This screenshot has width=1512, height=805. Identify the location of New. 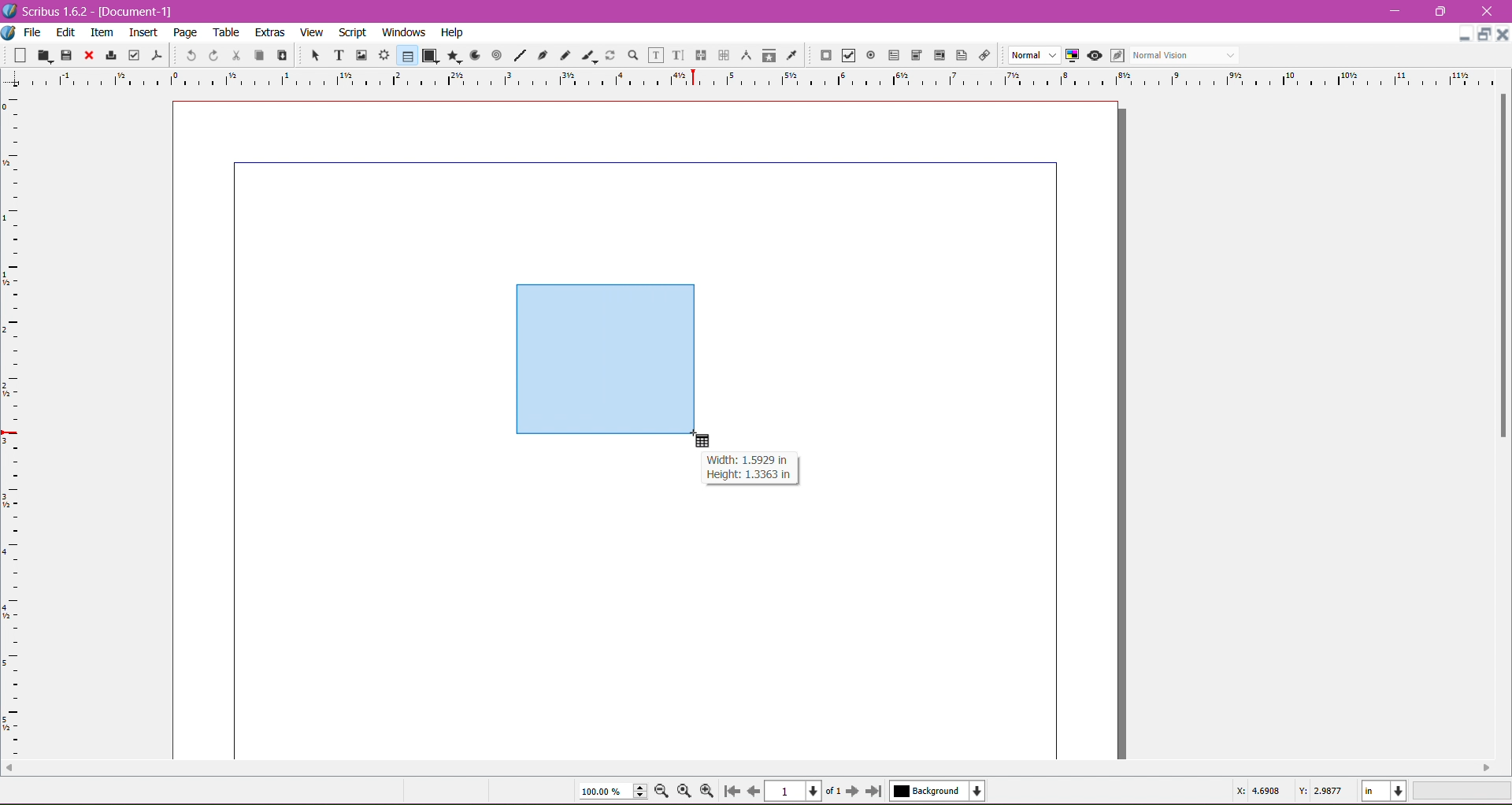
(22, 54).